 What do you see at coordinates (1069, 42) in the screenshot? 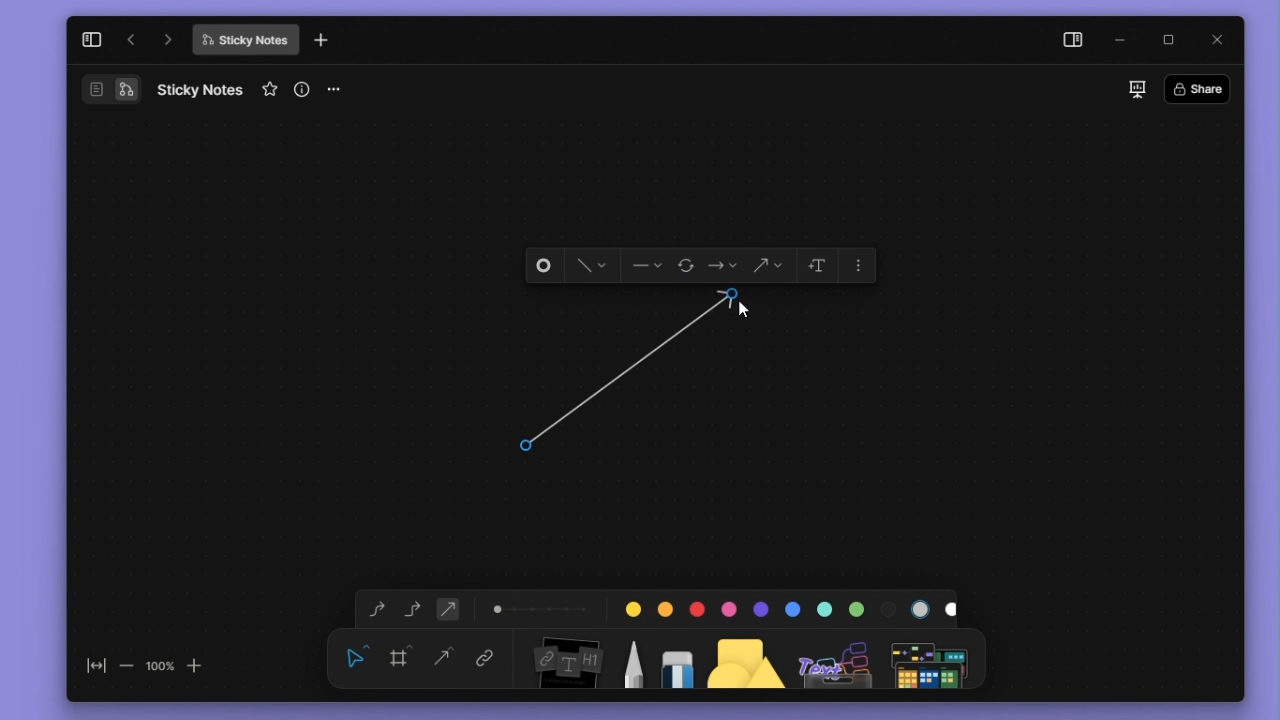
I see `side panel` at bounding box center [1069, 42].